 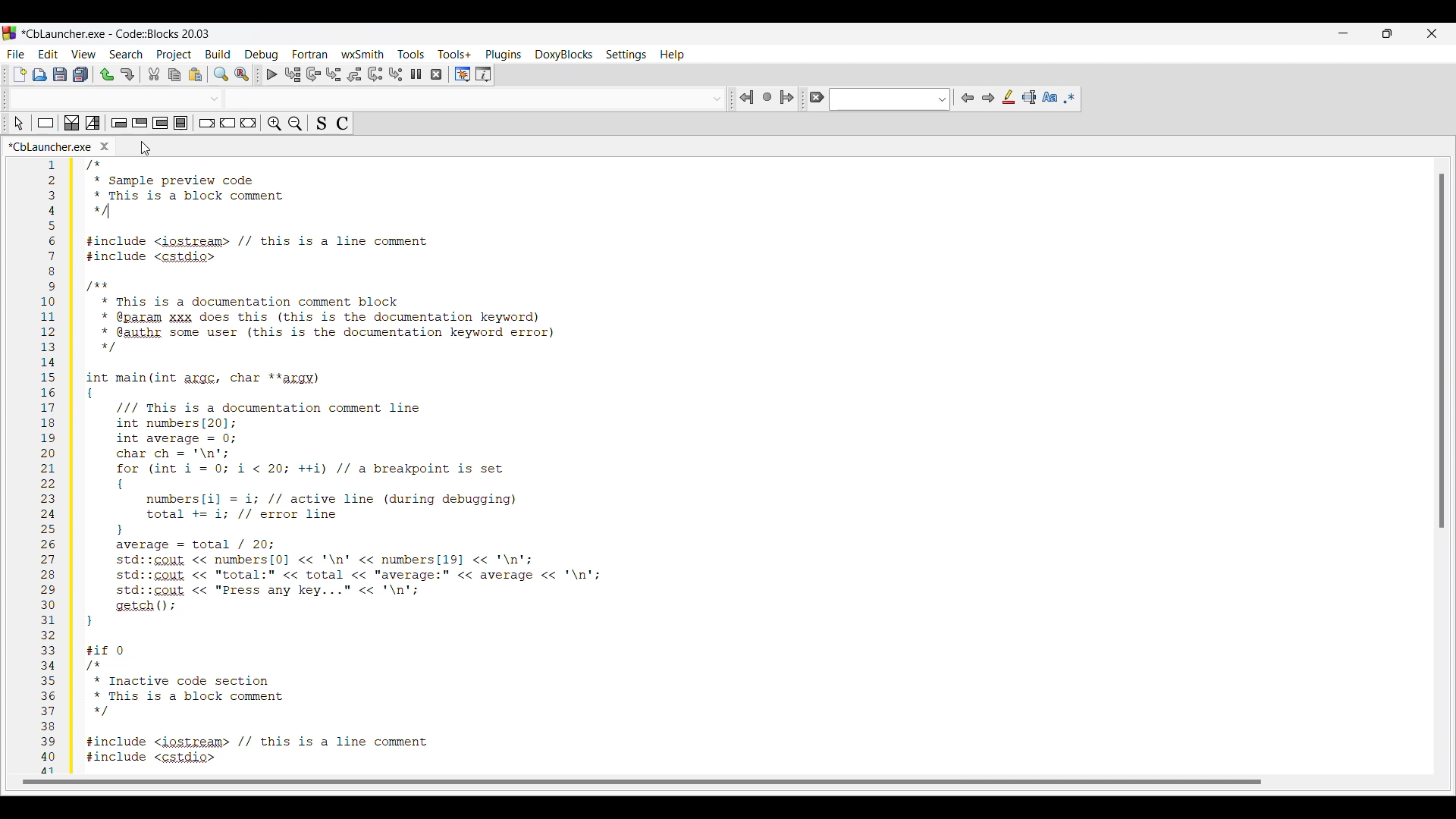 I want to click on Match case , so click(x=1050, y=97).